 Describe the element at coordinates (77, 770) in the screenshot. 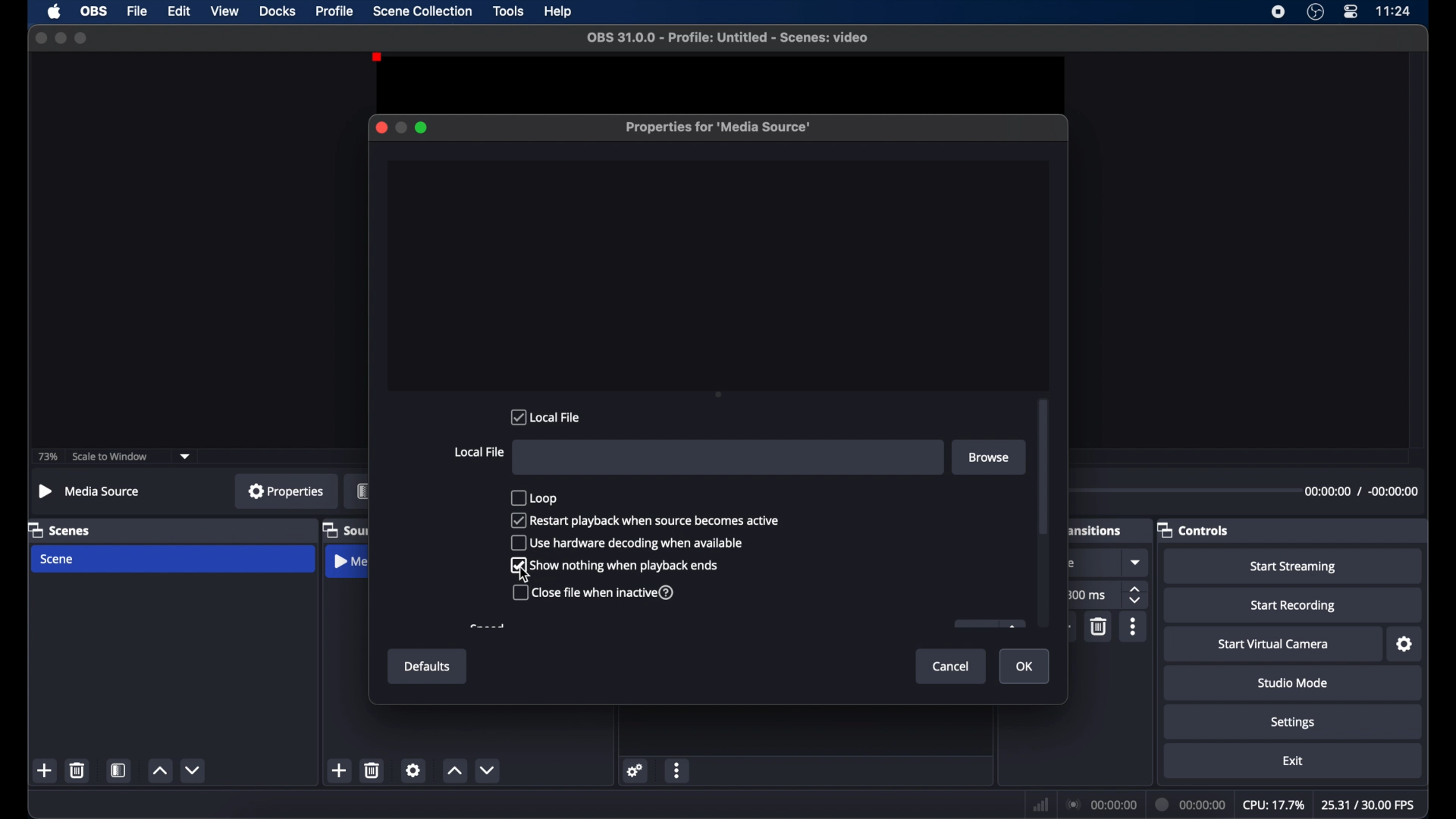

I see `delete` at that location.